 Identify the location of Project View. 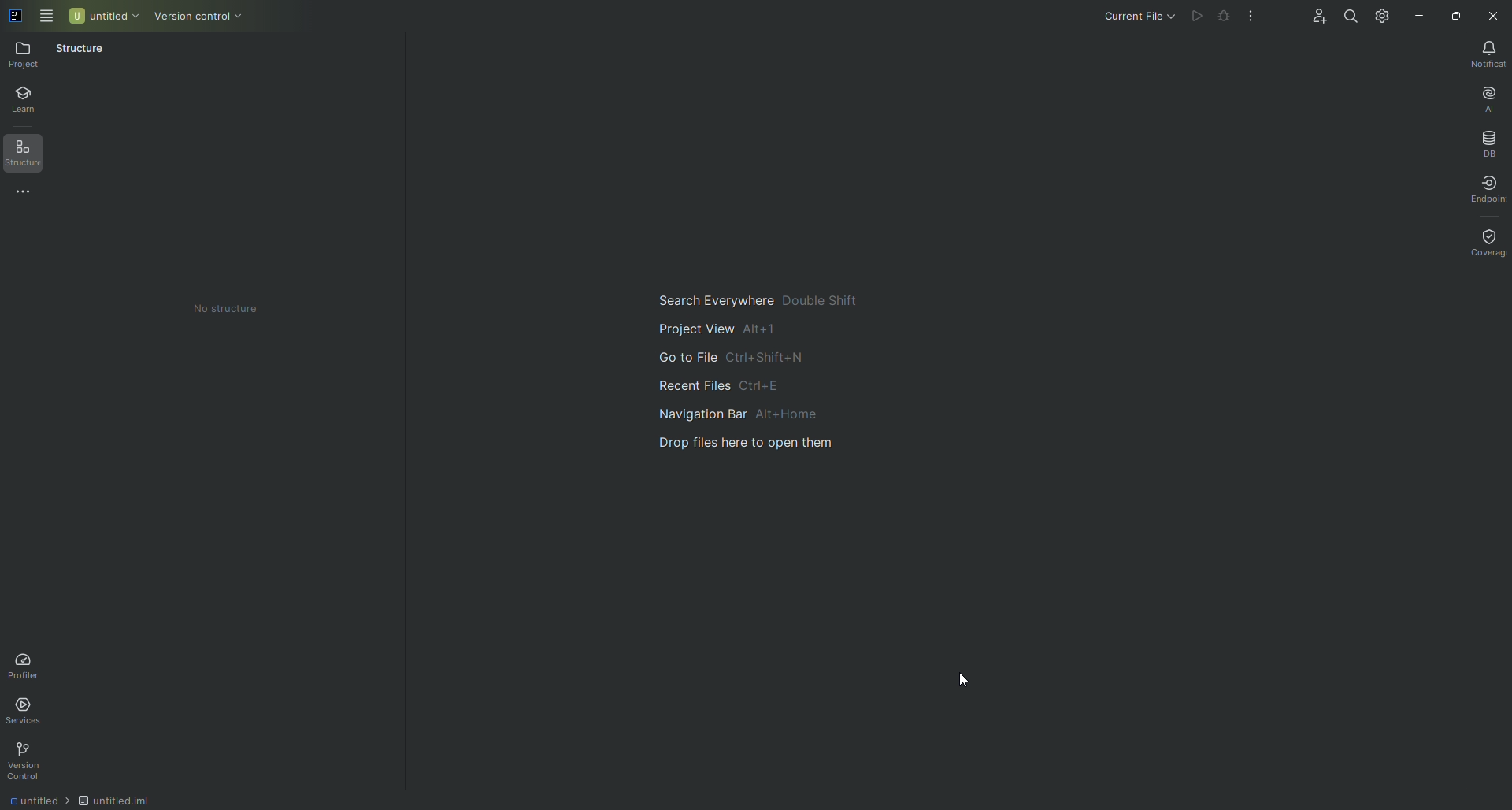
(718, 328).